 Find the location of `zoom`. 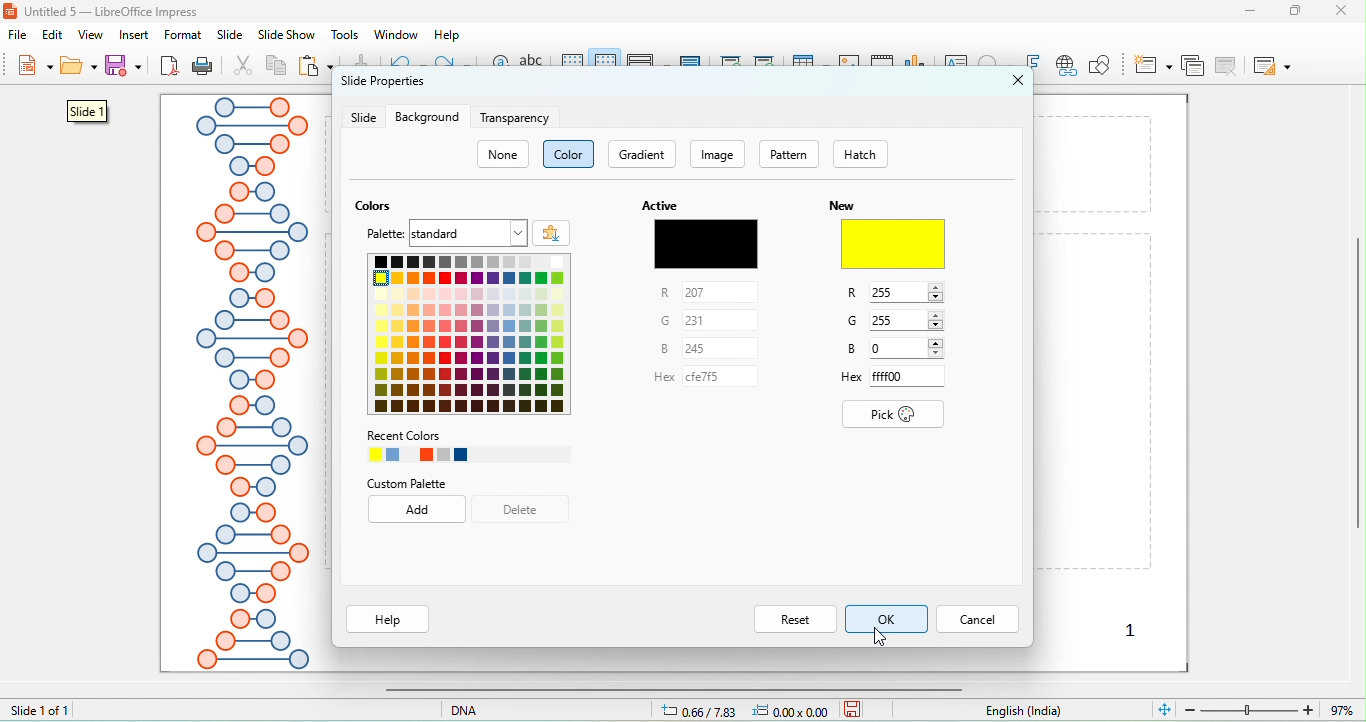

zoom is located at coordinates (1273, 708).